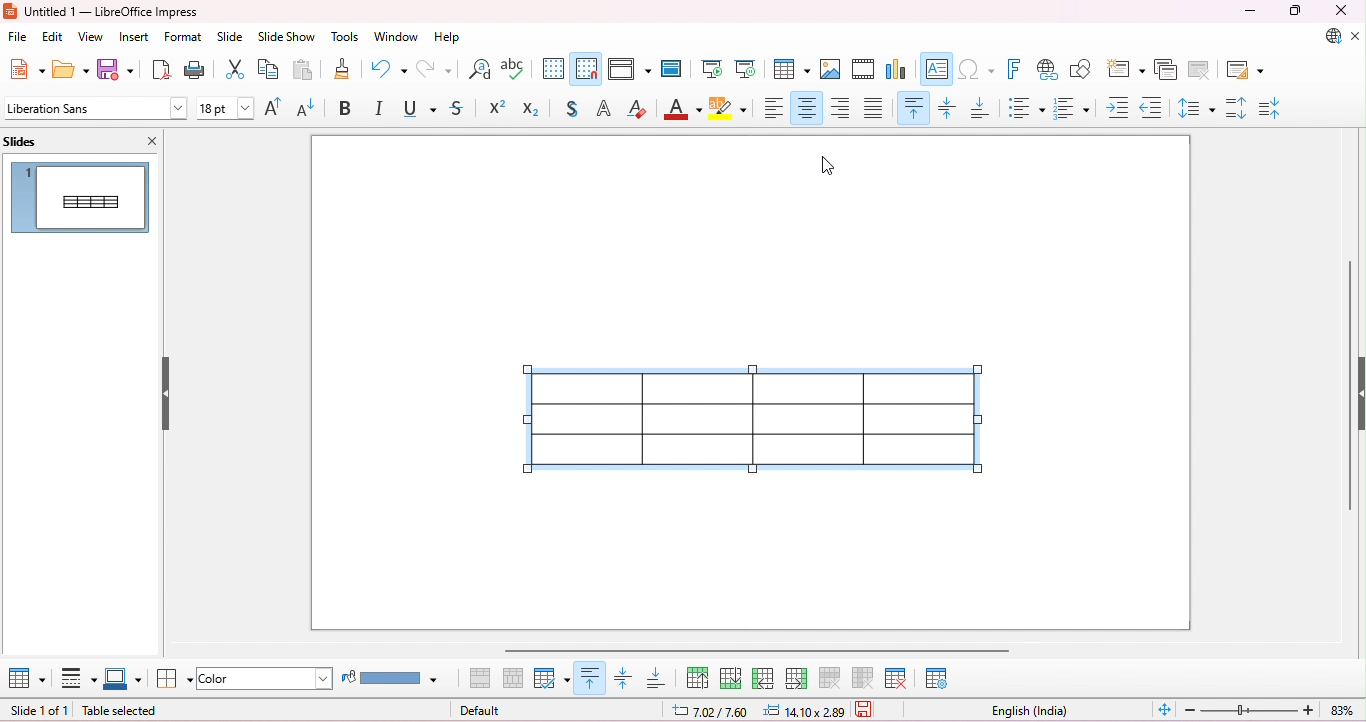  What do you see at coordinates (481, 69) in the screenshot?
I see `find and replace` at bounding box center [481, 69].